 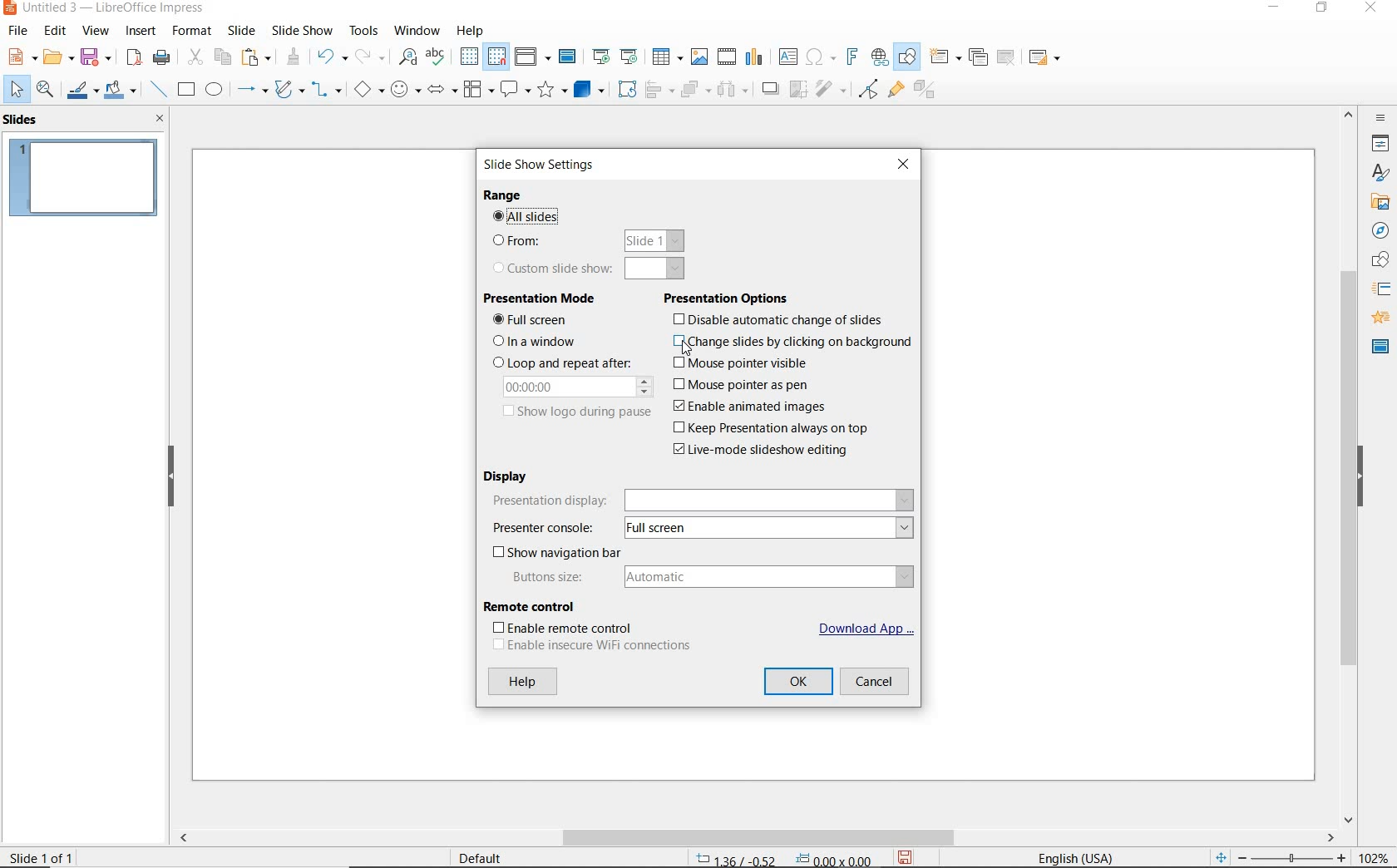 What do you see at coordinates (797, 90) in the screenshot?
I see `CROP IMAGE` at bounding box center [797, 90].